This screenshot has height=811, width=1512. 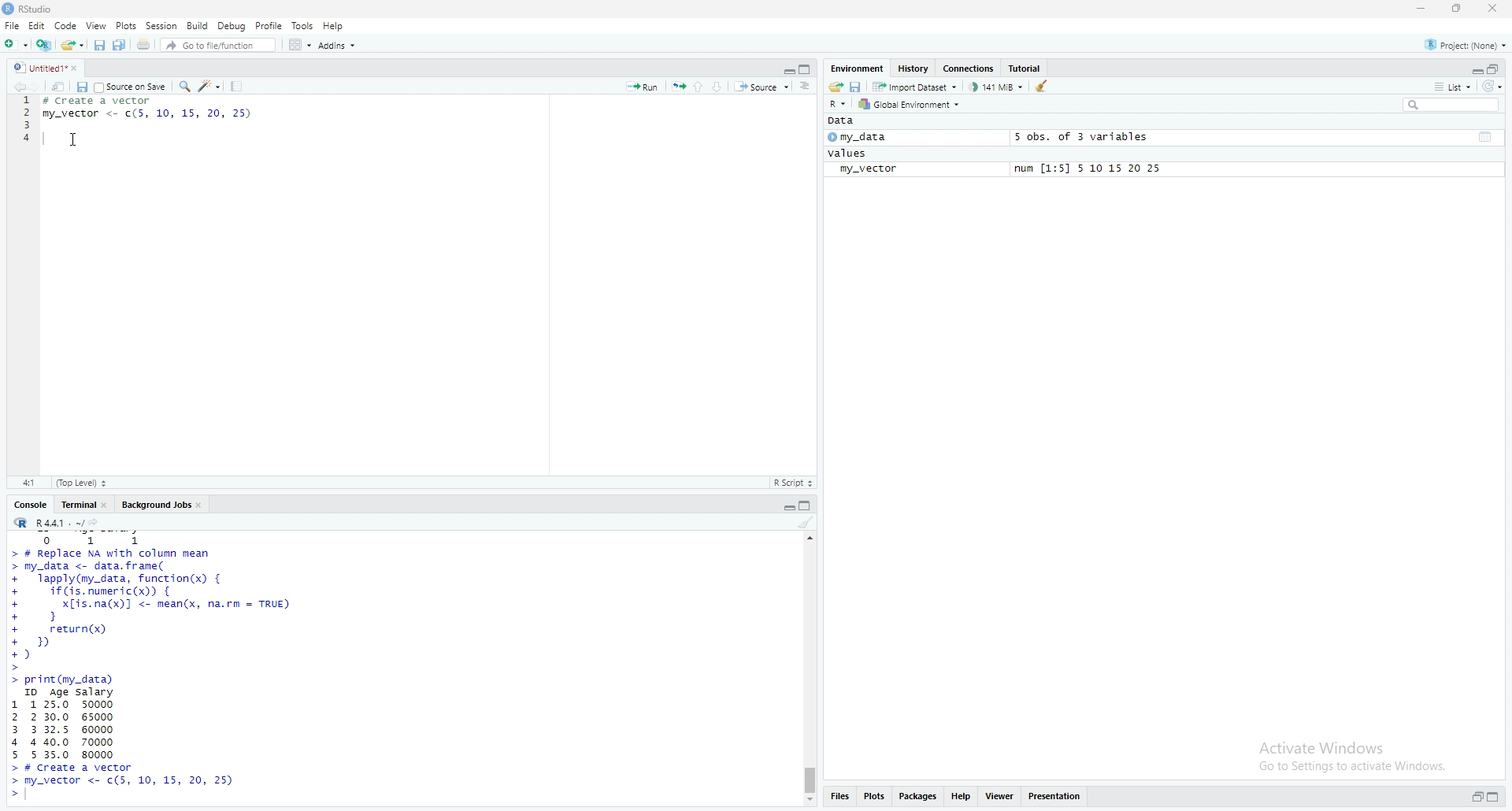 What do you see at coordinates (643, 86) in the screenshot?
I see `Run` at bounding box center [643, 86].